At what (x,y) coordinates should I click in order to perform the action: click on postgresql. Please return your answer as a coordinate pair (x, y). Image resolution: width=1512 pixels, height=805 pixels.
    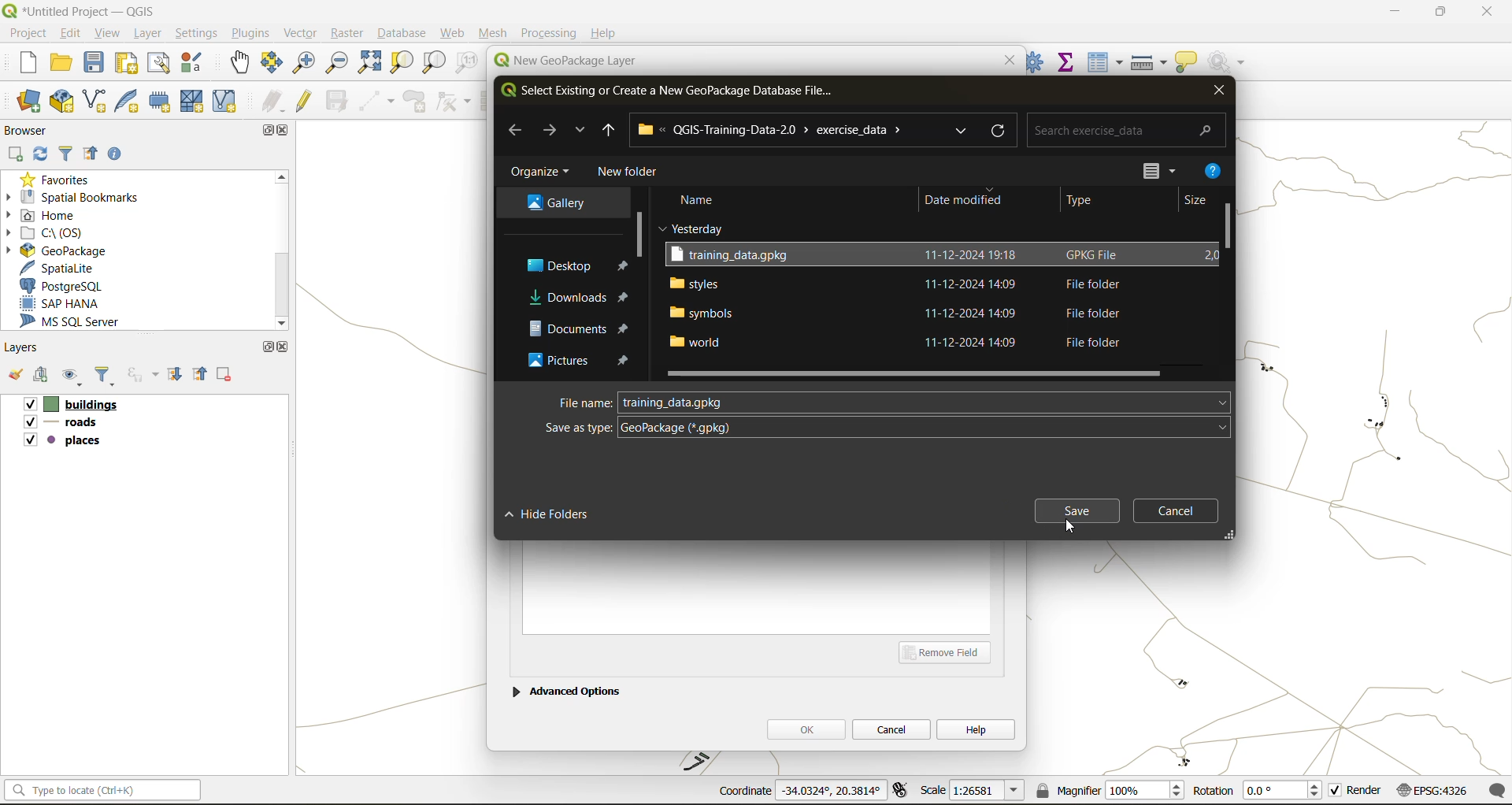
    Looking at the image, I should click on (73, 286).